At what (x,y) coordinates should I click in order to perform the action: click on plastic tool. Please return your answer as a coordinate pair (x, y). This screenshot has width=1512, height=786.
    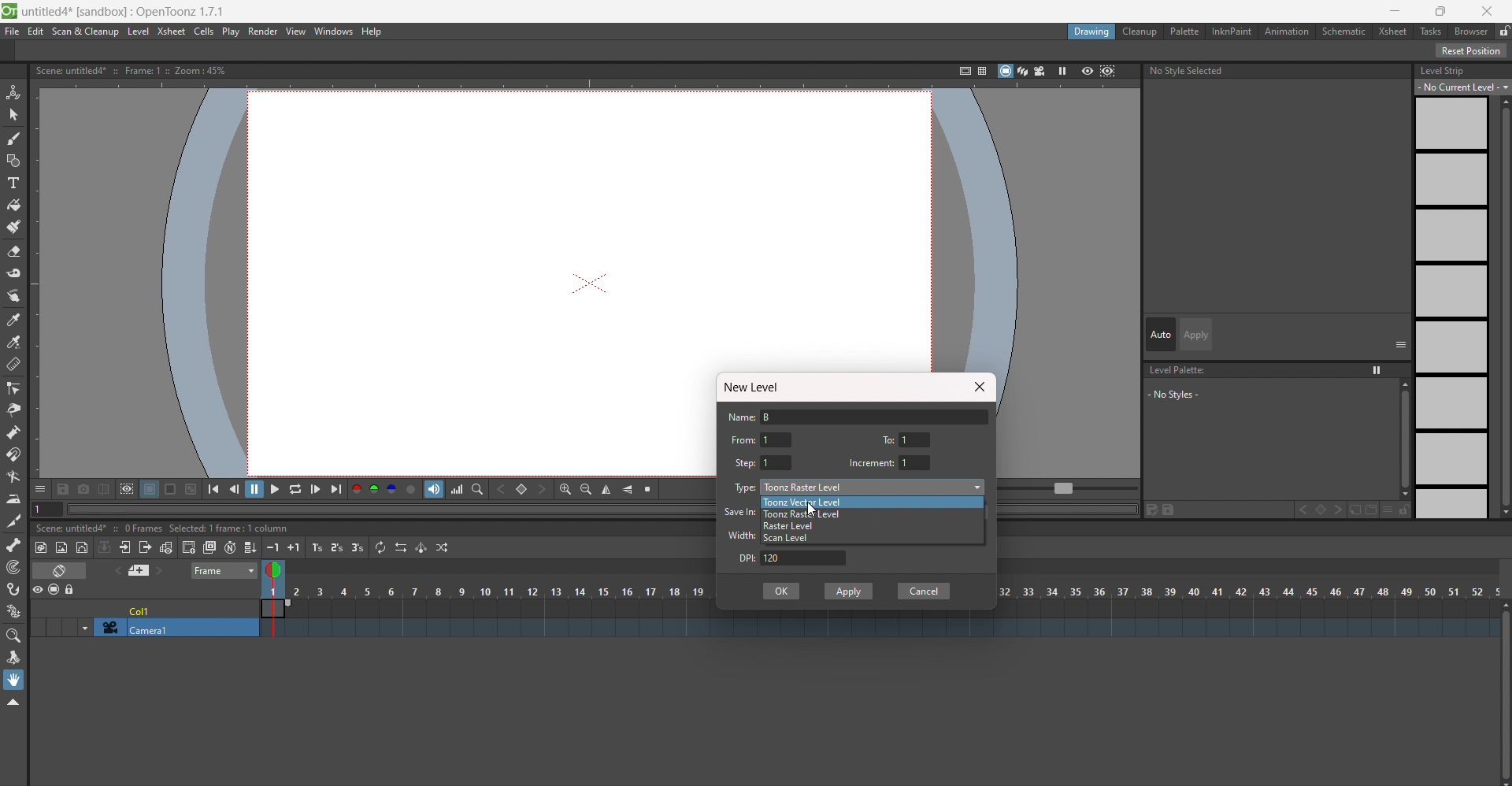
    Looking at the image, I should click on (13, 612).